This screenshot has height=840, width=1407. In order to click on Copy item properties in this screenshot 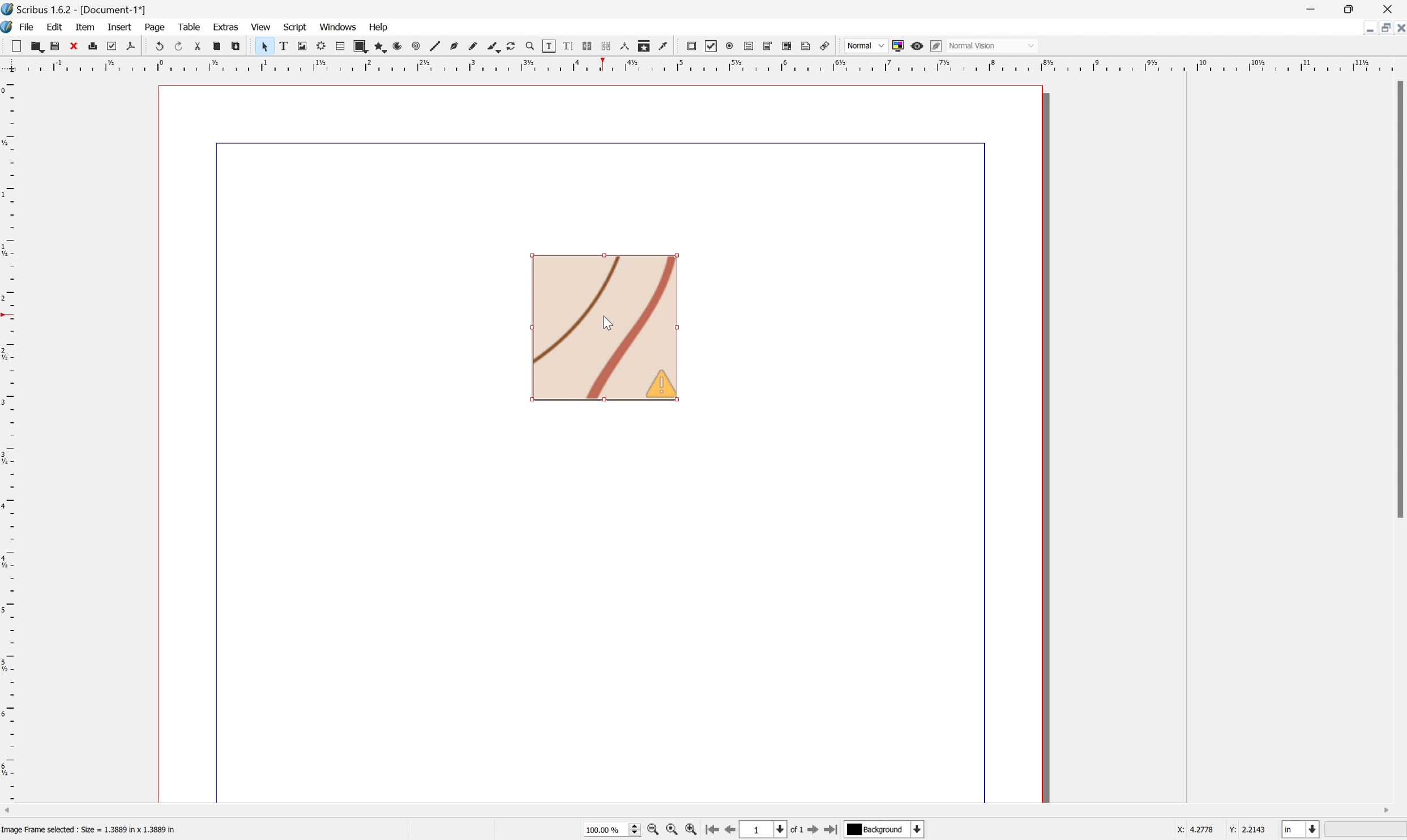, I will do `click(647, 46)`.